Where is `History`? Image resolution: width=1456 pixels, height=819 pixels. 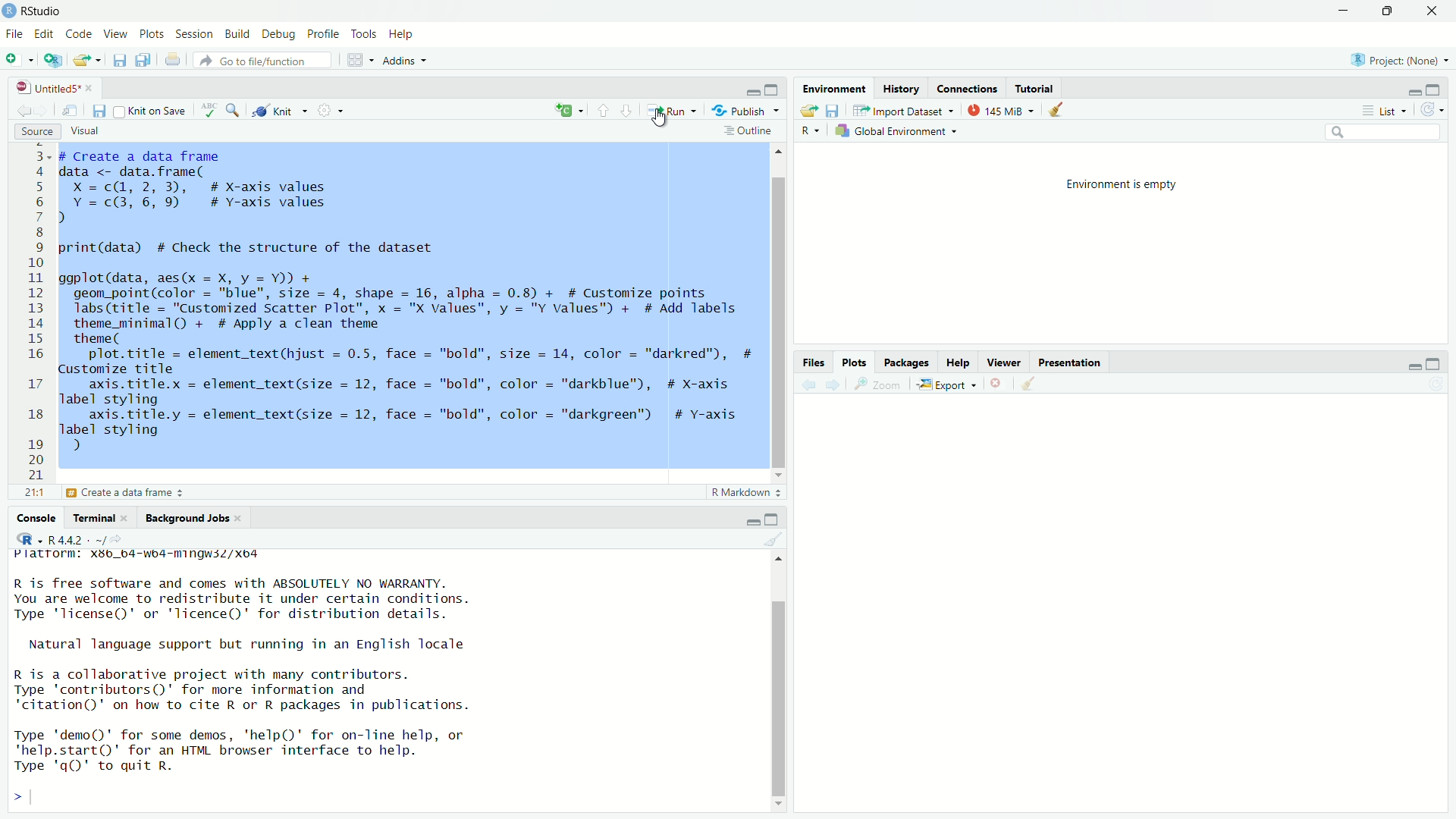 History is located at coordinates (899, 89).